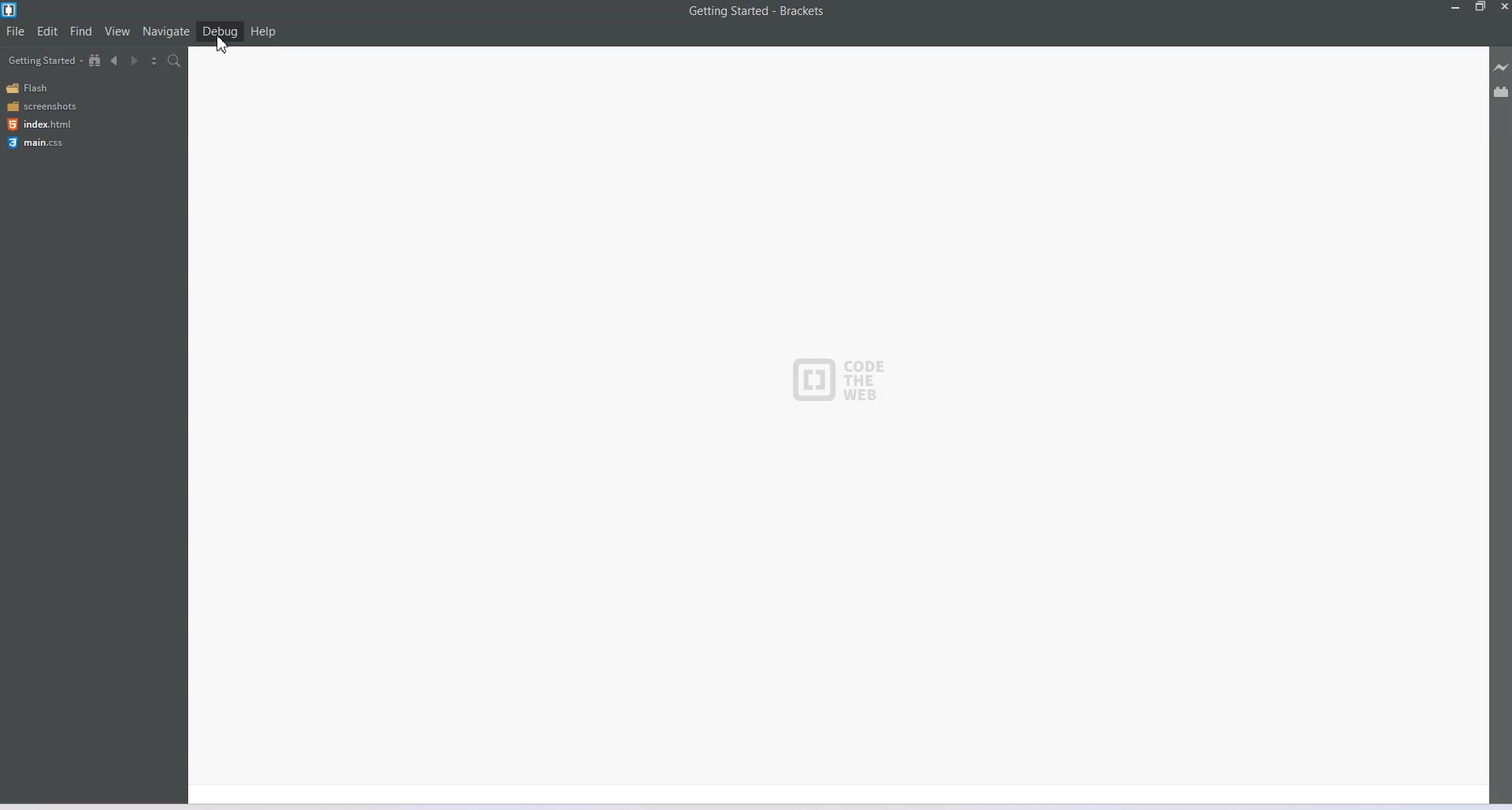 This screenshot has height=810, width=1512. What do you see at coordinates (1502, 95) in the screenshot?
I see `Extension Manager` at bounding box center [1502, 95].